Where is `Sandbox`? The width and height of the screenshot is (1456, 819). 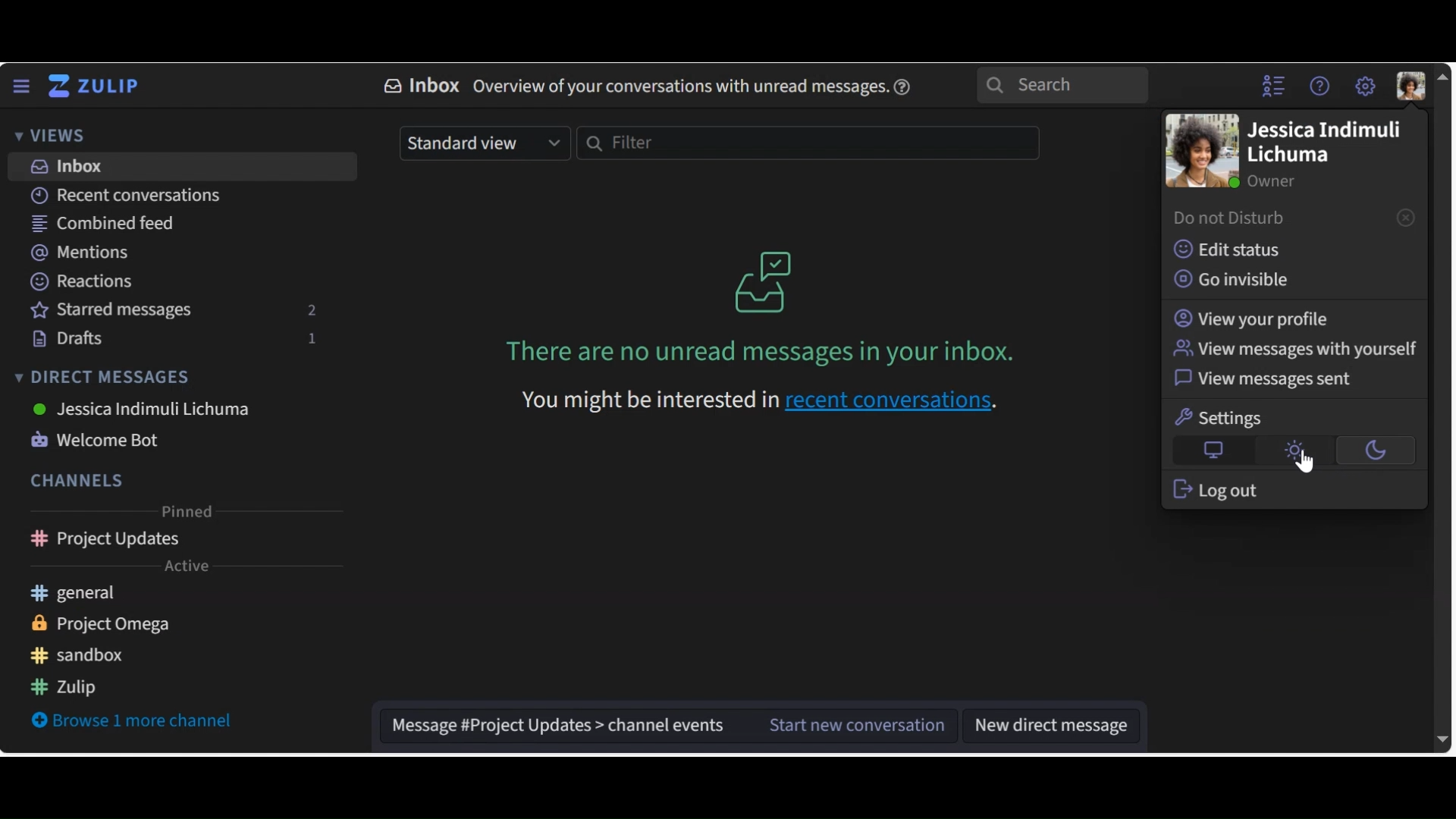 Sandbox is located at coordinates (88, 655).